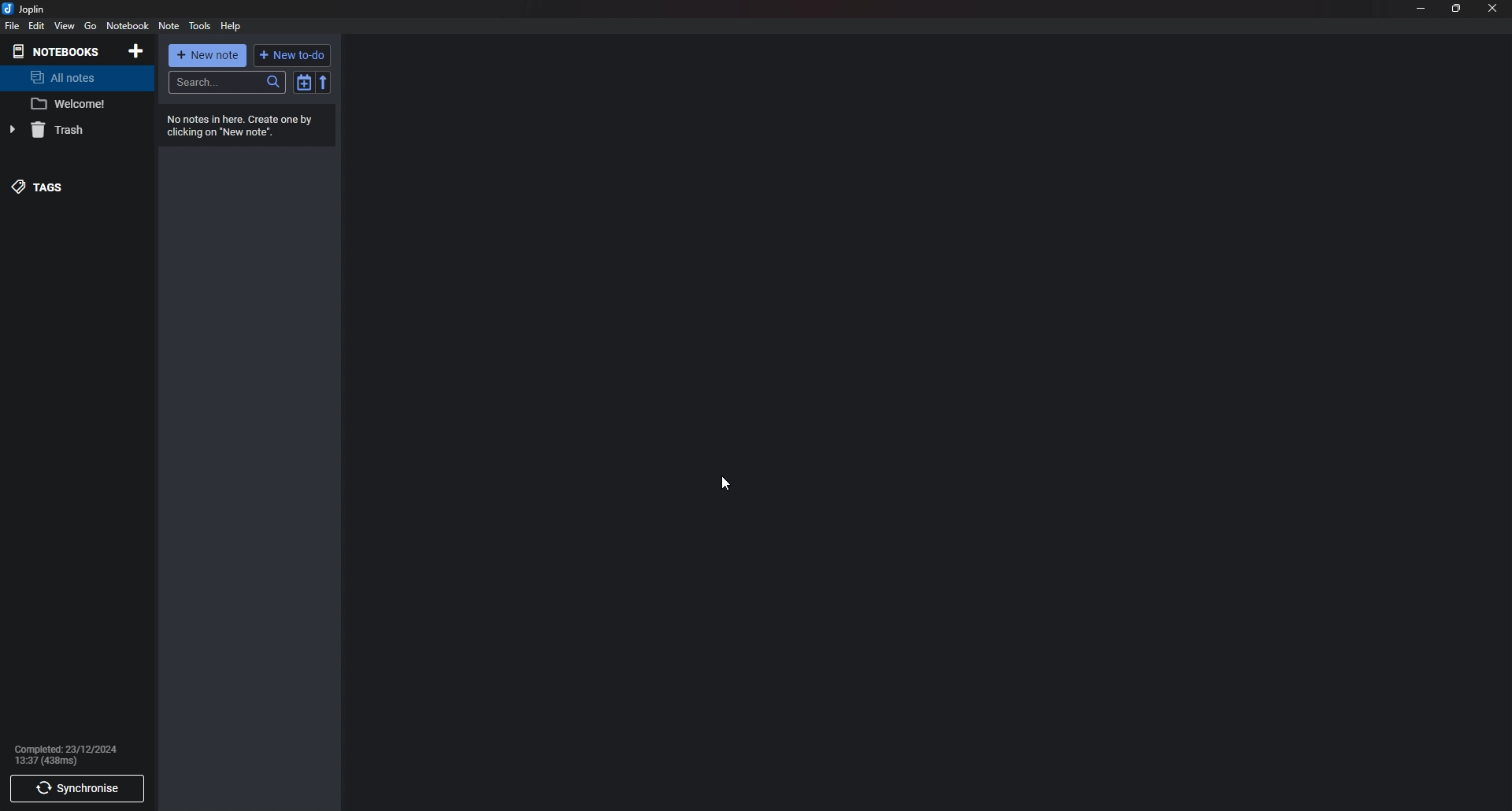 The image size is (1512, 811). What do you see at coordinates (73, 756) in the screenshot?
I see `Completed: 23/12/2024
13:37 (438ms)` at bounding box center [73, 756].